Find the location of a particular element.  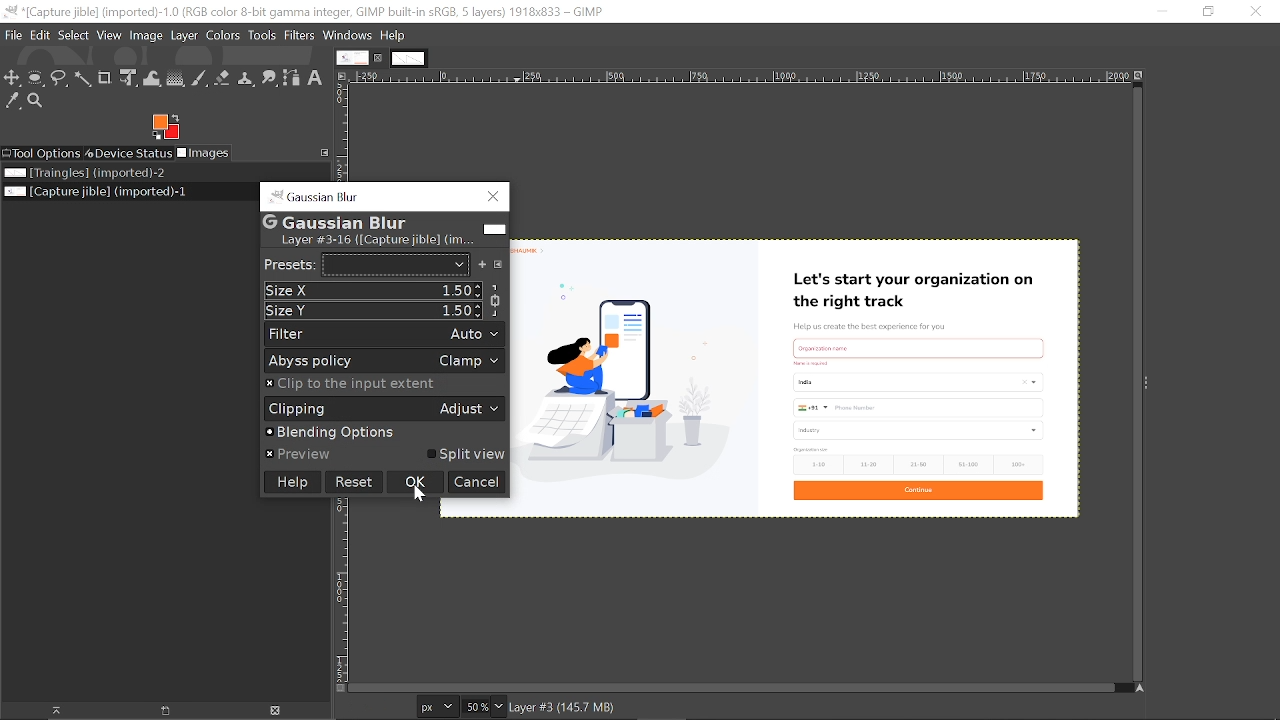

Blending options is located at coordinates (377, 432).